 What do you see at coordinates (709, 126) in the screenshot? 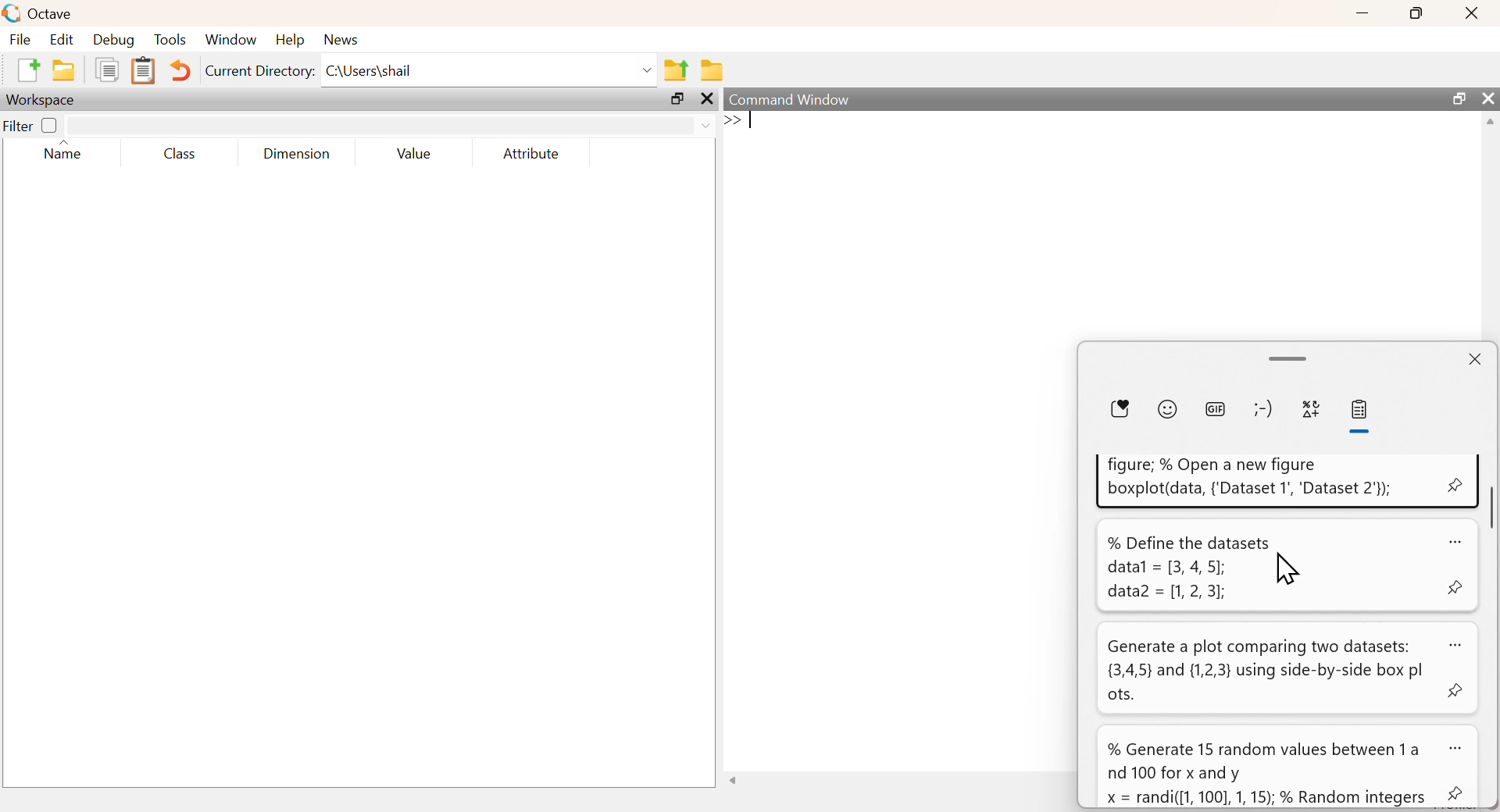
I see `dropdown` at bounding box center [709, 126].